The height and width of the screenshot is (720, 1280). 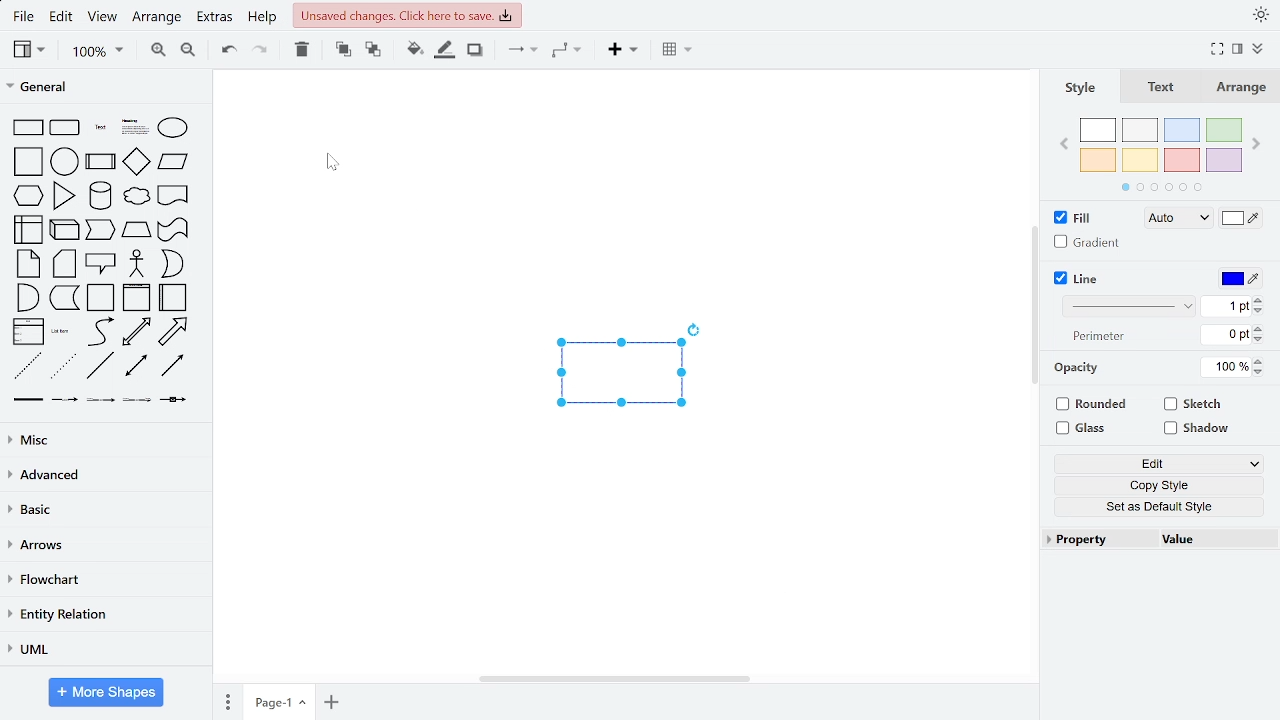 What do you see at coordinates (155, 52) in the screenshot?
I see `zoom in` at bounding box center [155, 52].